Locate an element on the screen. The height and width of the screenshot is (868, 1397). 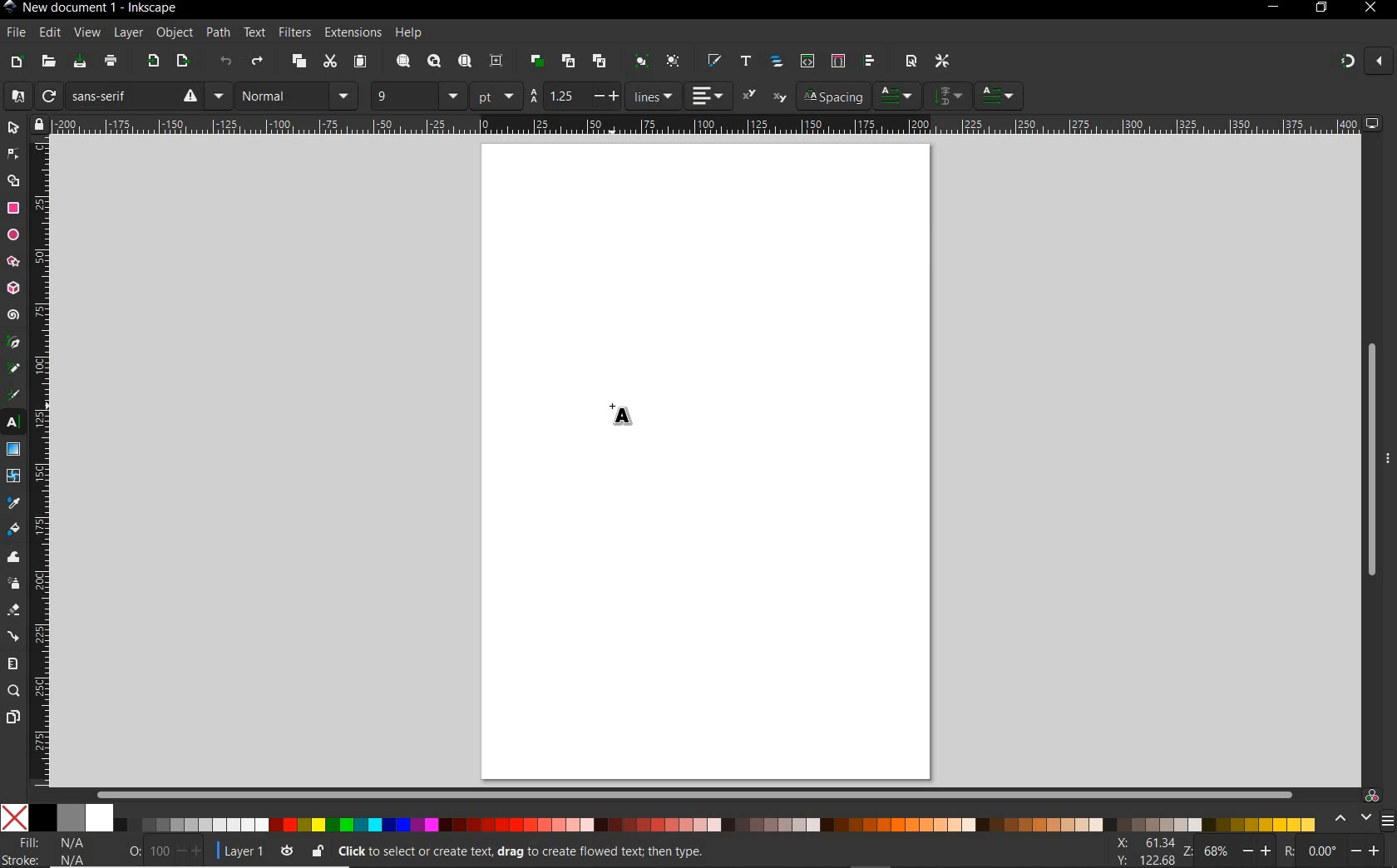
Menu is located at coordinates (219, 96).